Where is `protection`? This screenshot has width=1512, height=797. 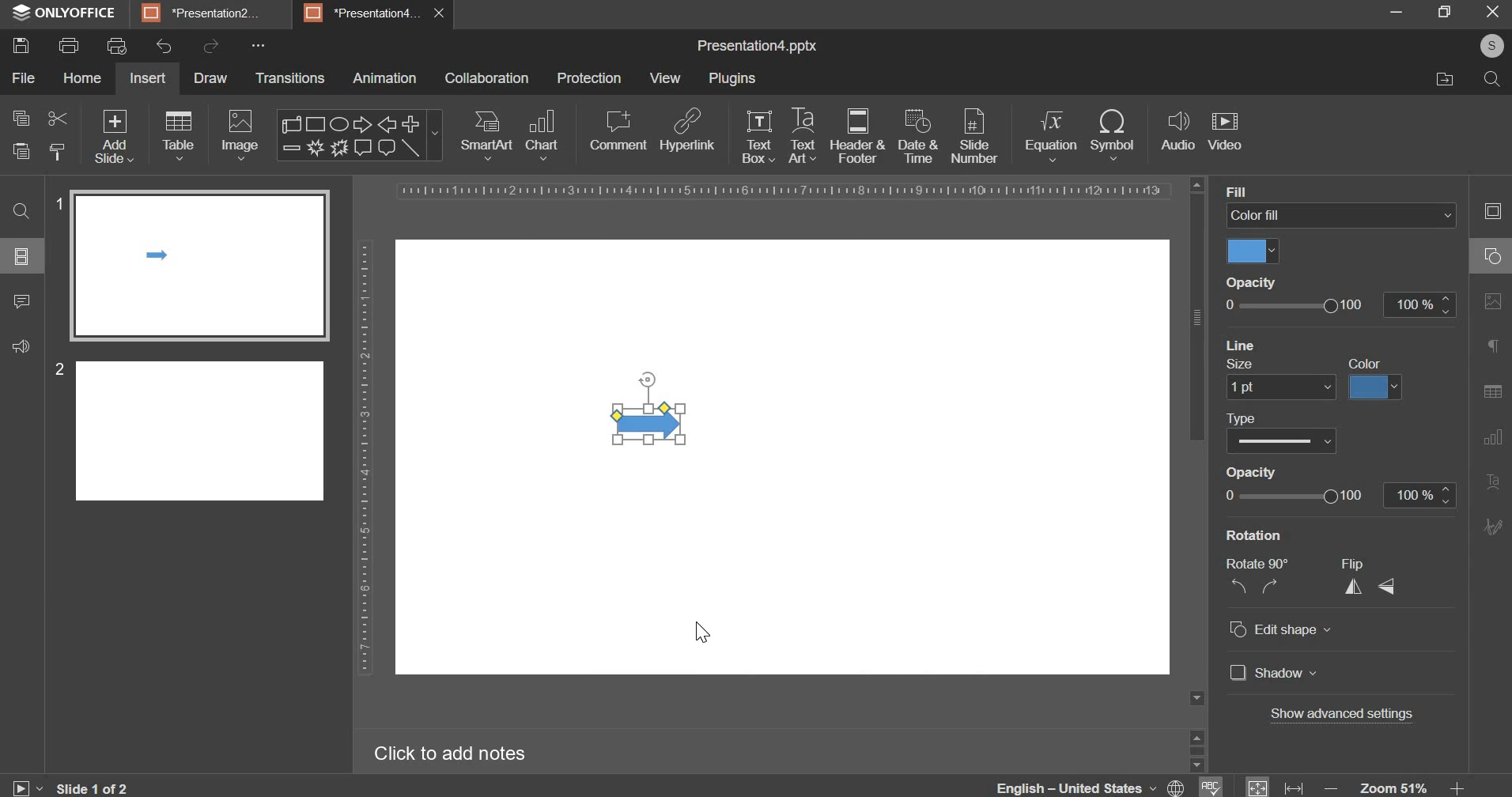
protection is located at coordinates (589, 79).